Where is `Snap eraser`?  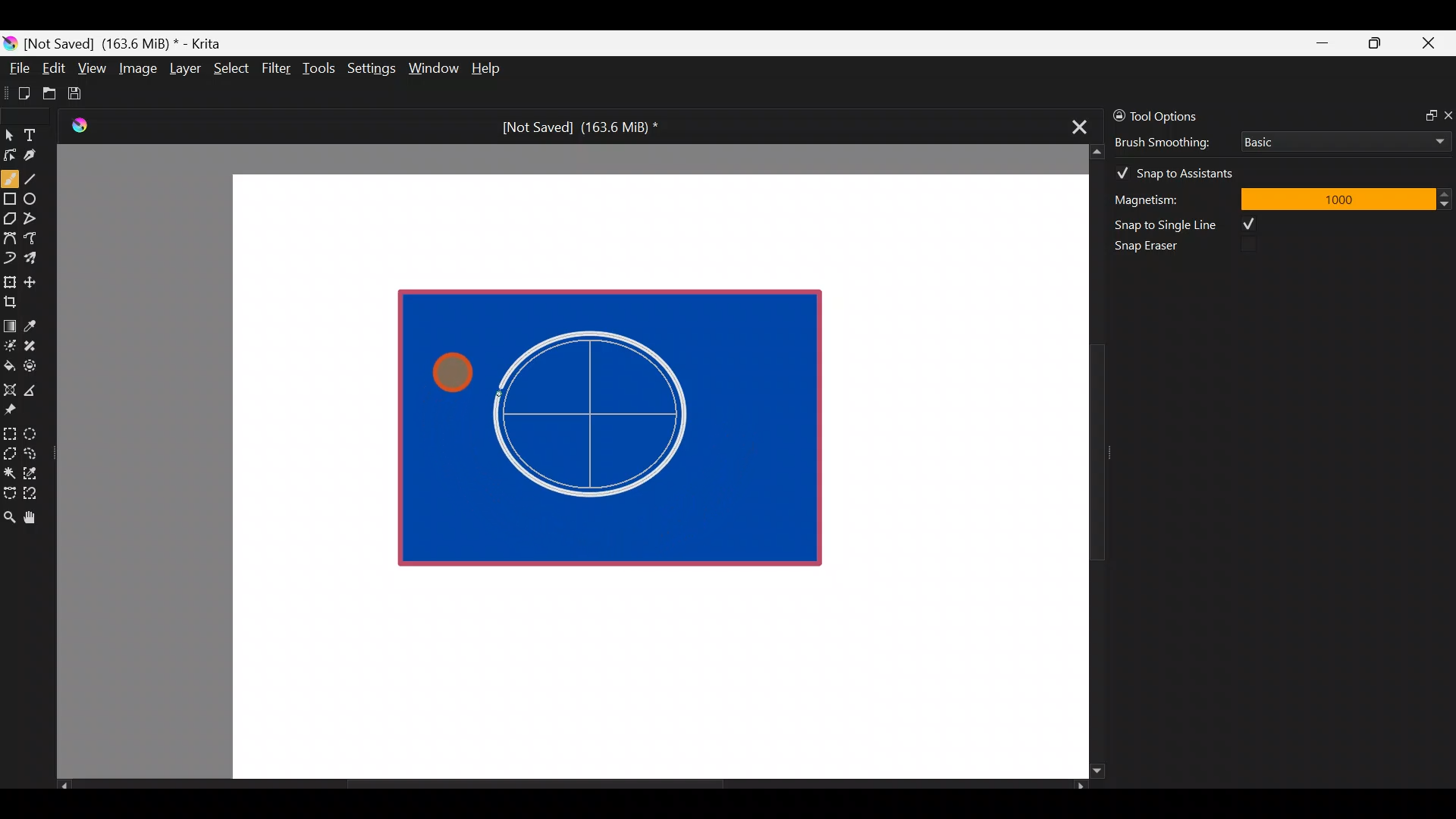 Snap eraser is located at coordinates (1156, 249).